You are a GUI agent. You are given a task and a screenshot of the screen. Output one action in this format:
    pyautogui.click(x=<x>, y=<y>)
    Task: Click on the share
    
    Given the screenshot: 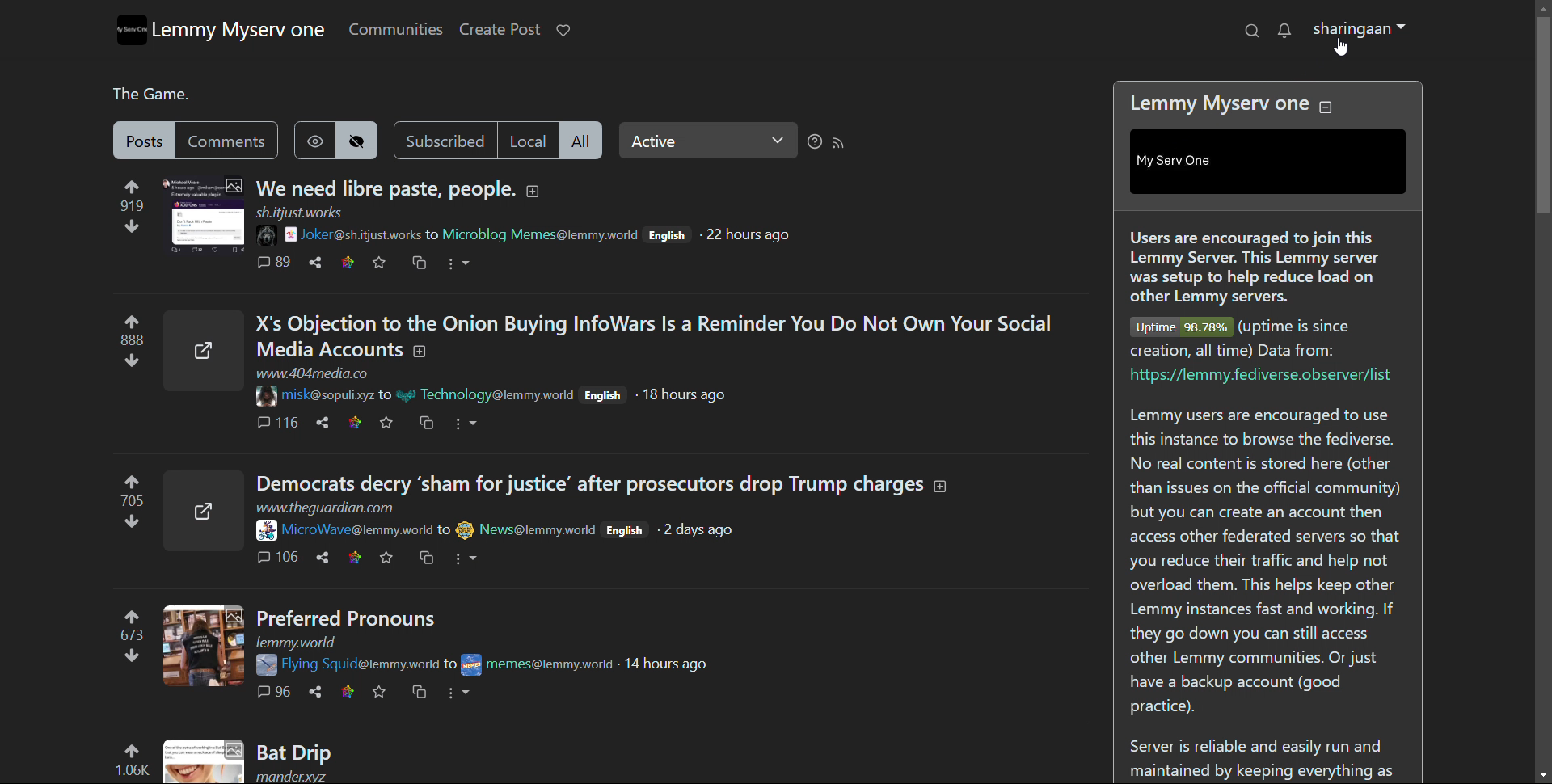 What is the action you would take?
    pyautogui.click(x=315, y=263)
    